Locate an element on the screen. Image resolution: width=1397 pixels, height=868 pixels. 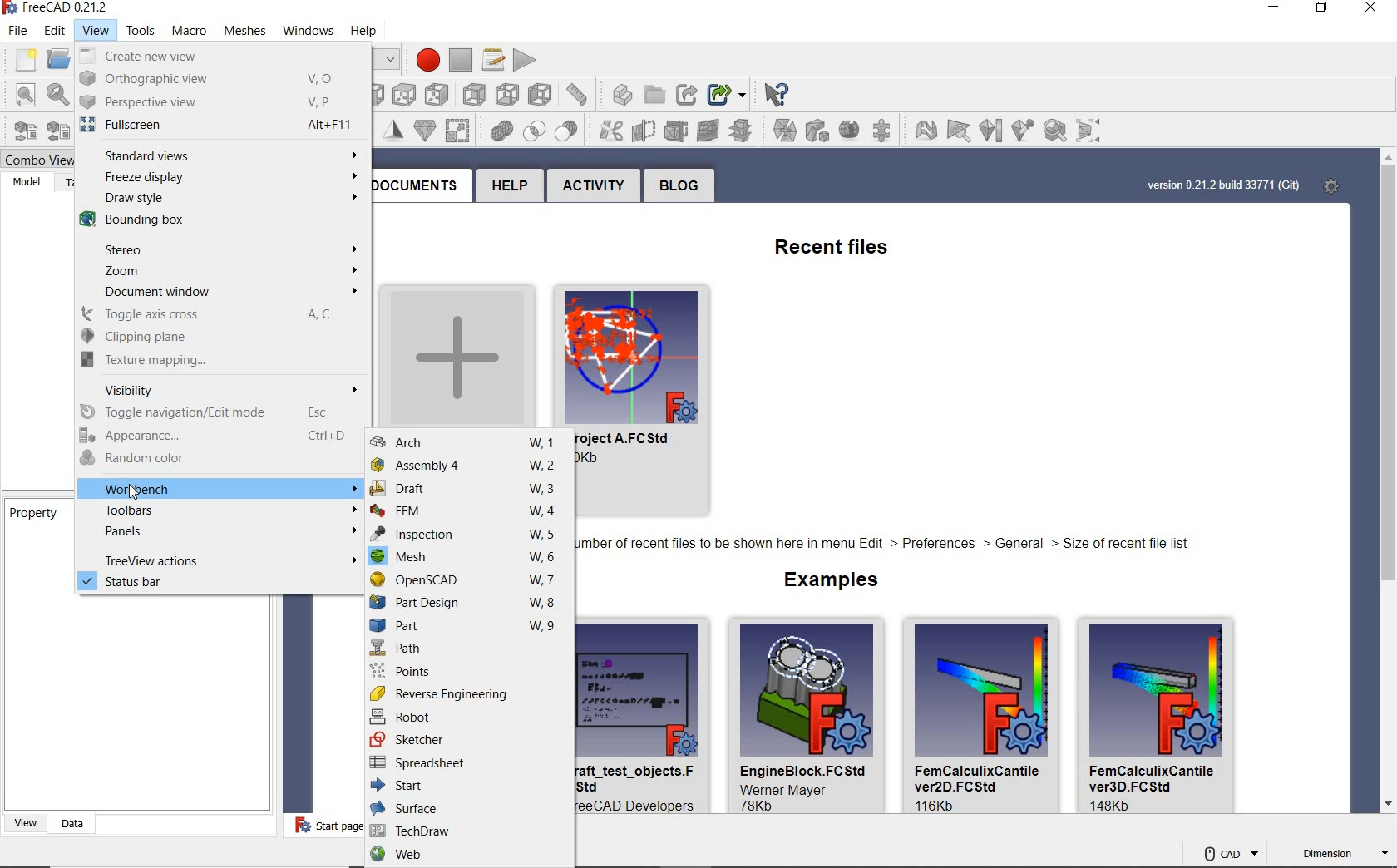
CAD Navigation style is located at coordinates (1227, 851).